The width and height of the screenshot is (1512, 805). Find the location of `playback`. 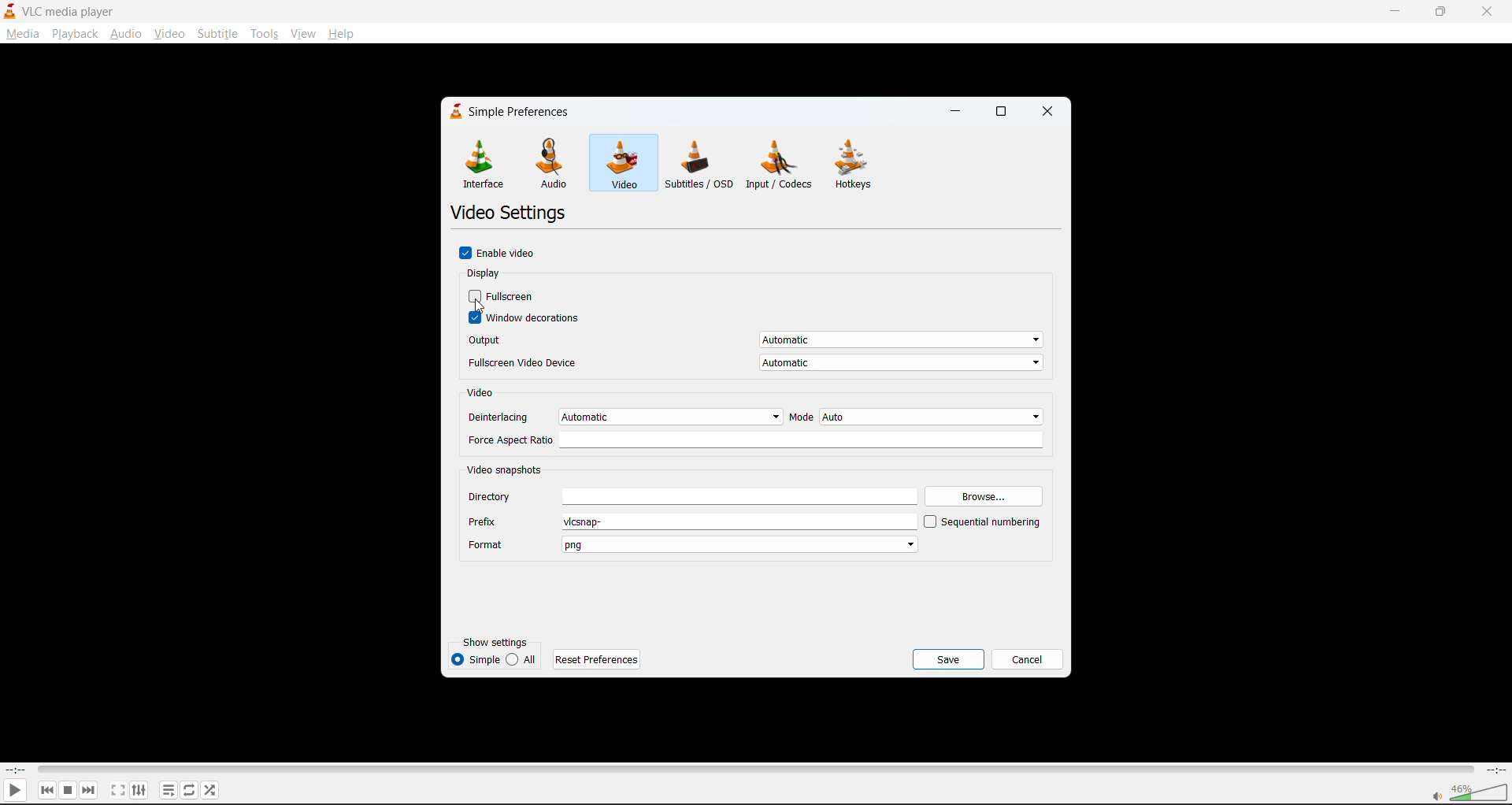

playback is located at coordinates (76, 34).